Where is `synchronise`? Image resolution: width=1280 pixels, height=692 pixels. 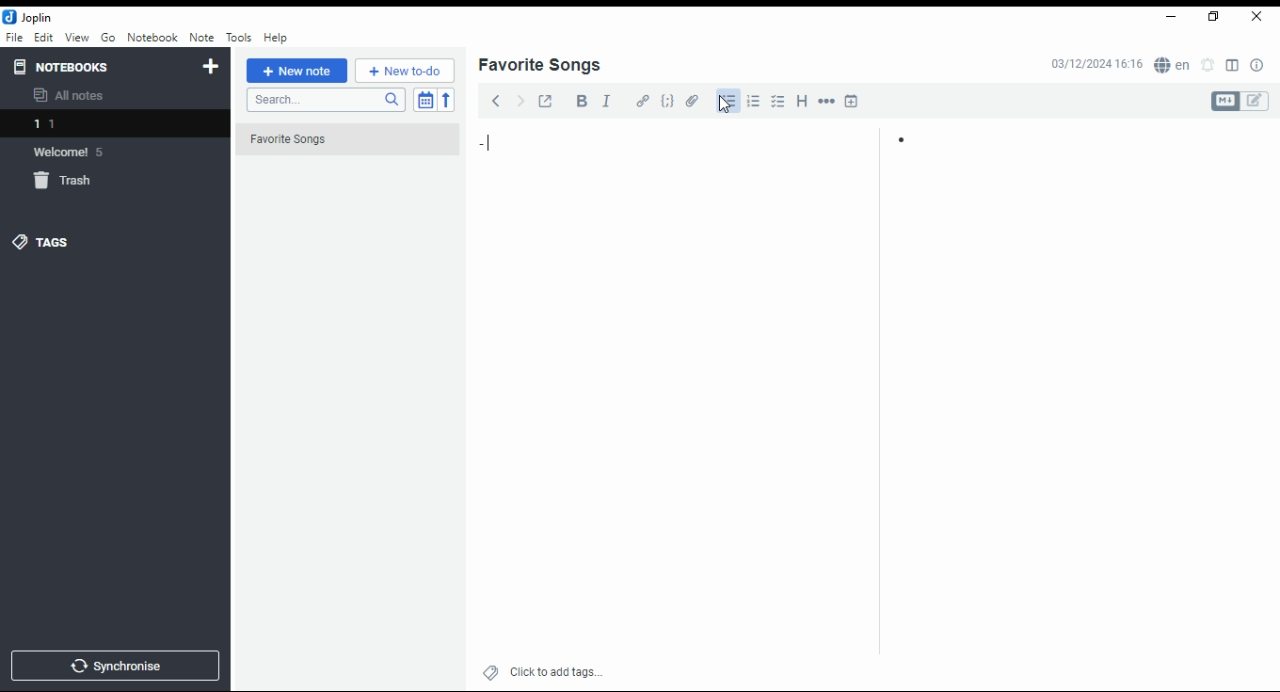 synchronise is located at coordinates (112, 665).